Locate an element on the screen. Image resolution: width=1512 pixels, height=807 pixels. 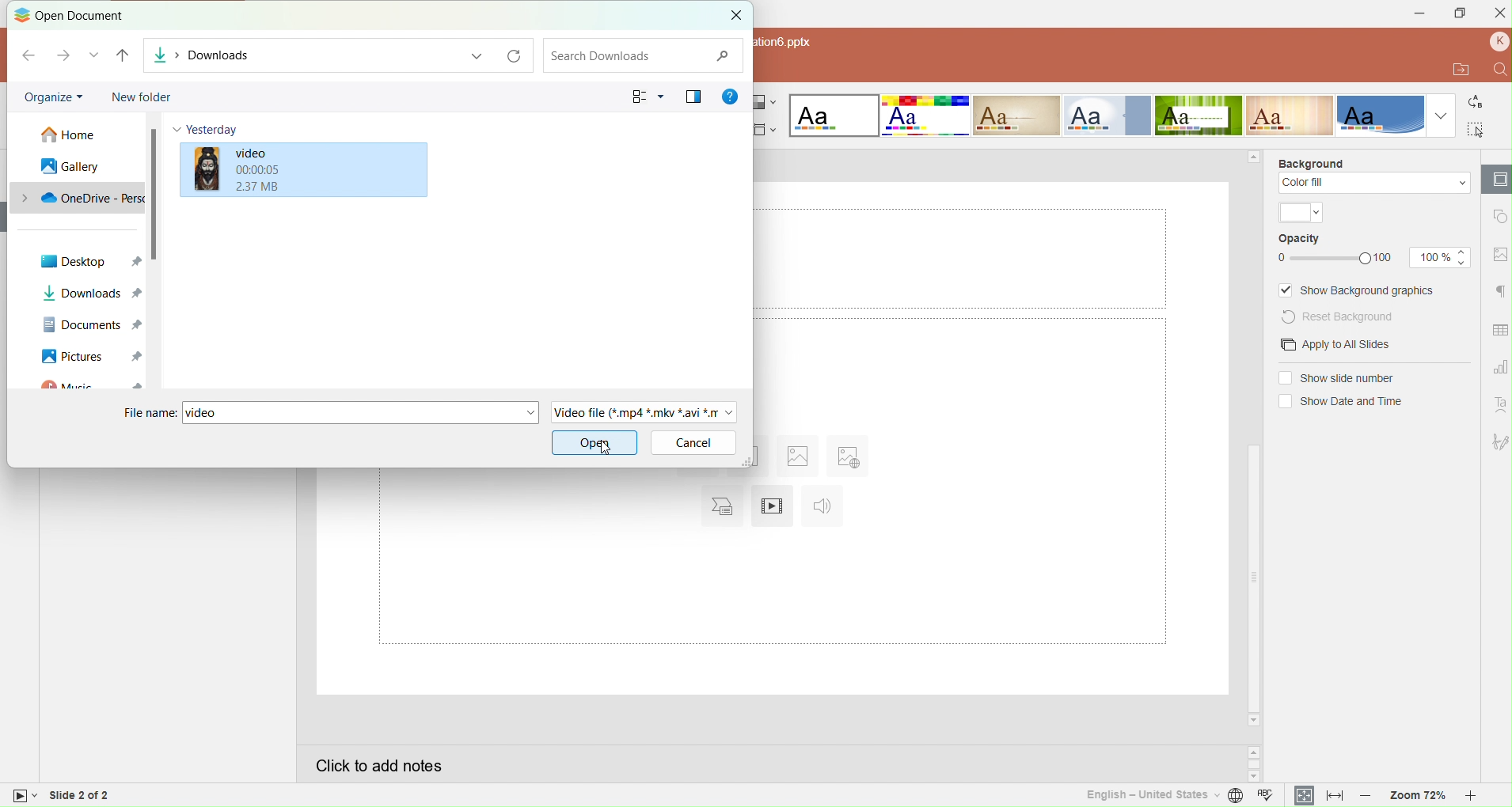
Cancel is located at coordinates (691, 443).